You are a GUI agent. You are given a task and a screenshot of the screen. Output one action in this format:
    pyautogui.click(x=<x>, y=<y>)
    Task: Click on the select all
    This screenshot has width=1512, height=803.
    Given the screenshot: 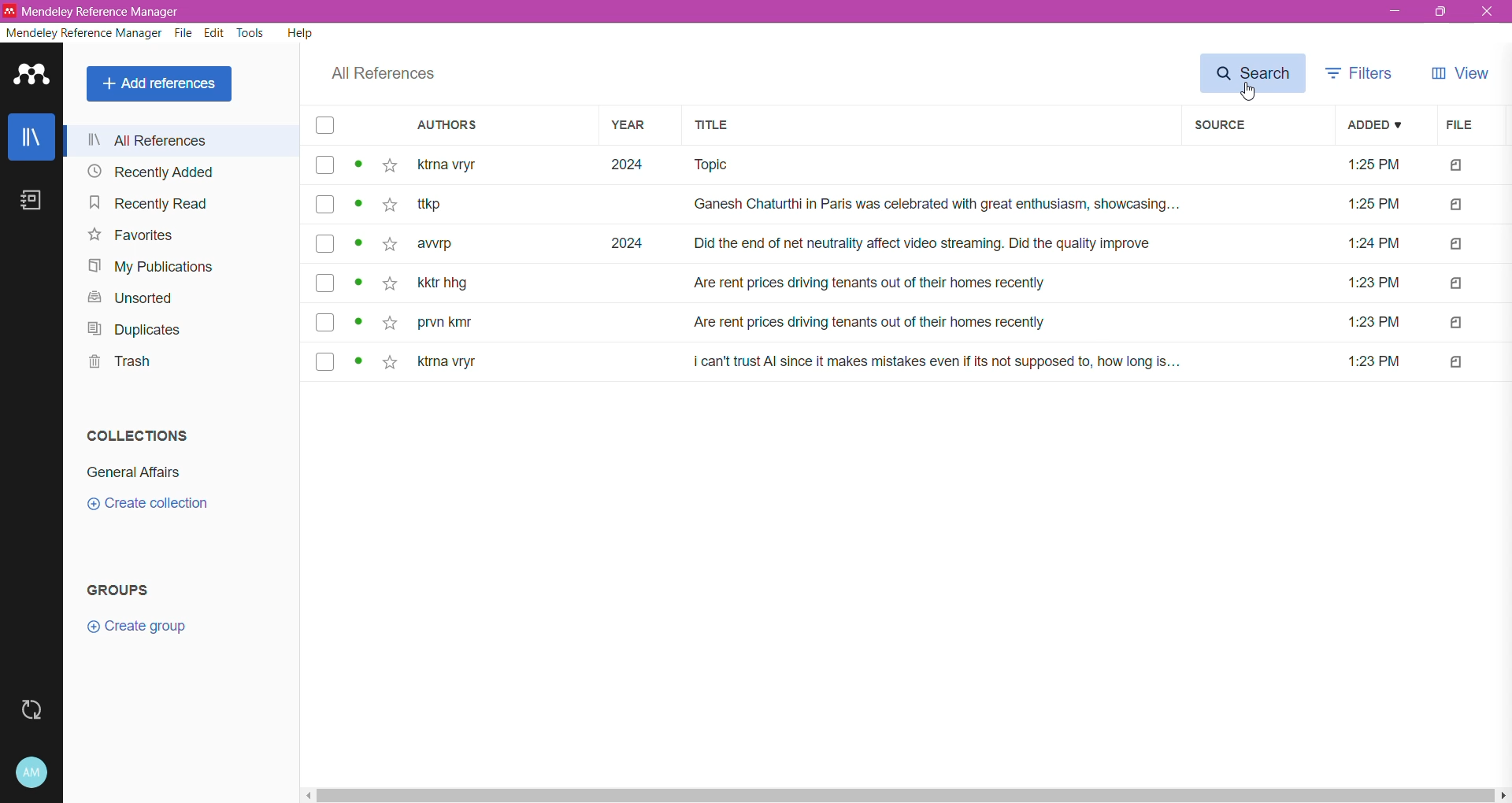 What is the action you would take?
    pyautogui.click(x=326, y=128)
    